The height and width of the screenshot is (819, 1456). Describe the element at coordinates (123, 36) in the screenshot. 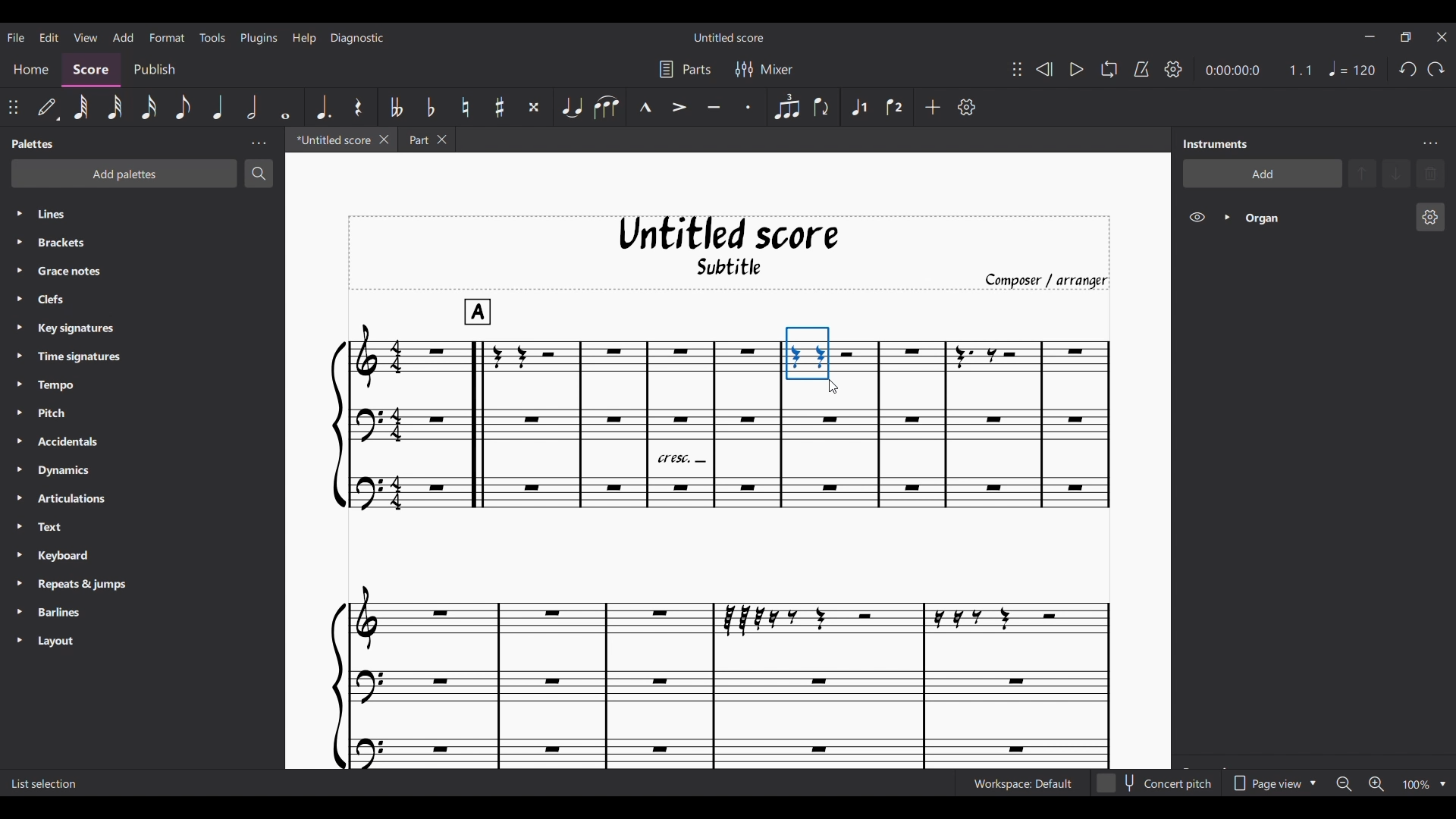

I see `Add menu` at that location.